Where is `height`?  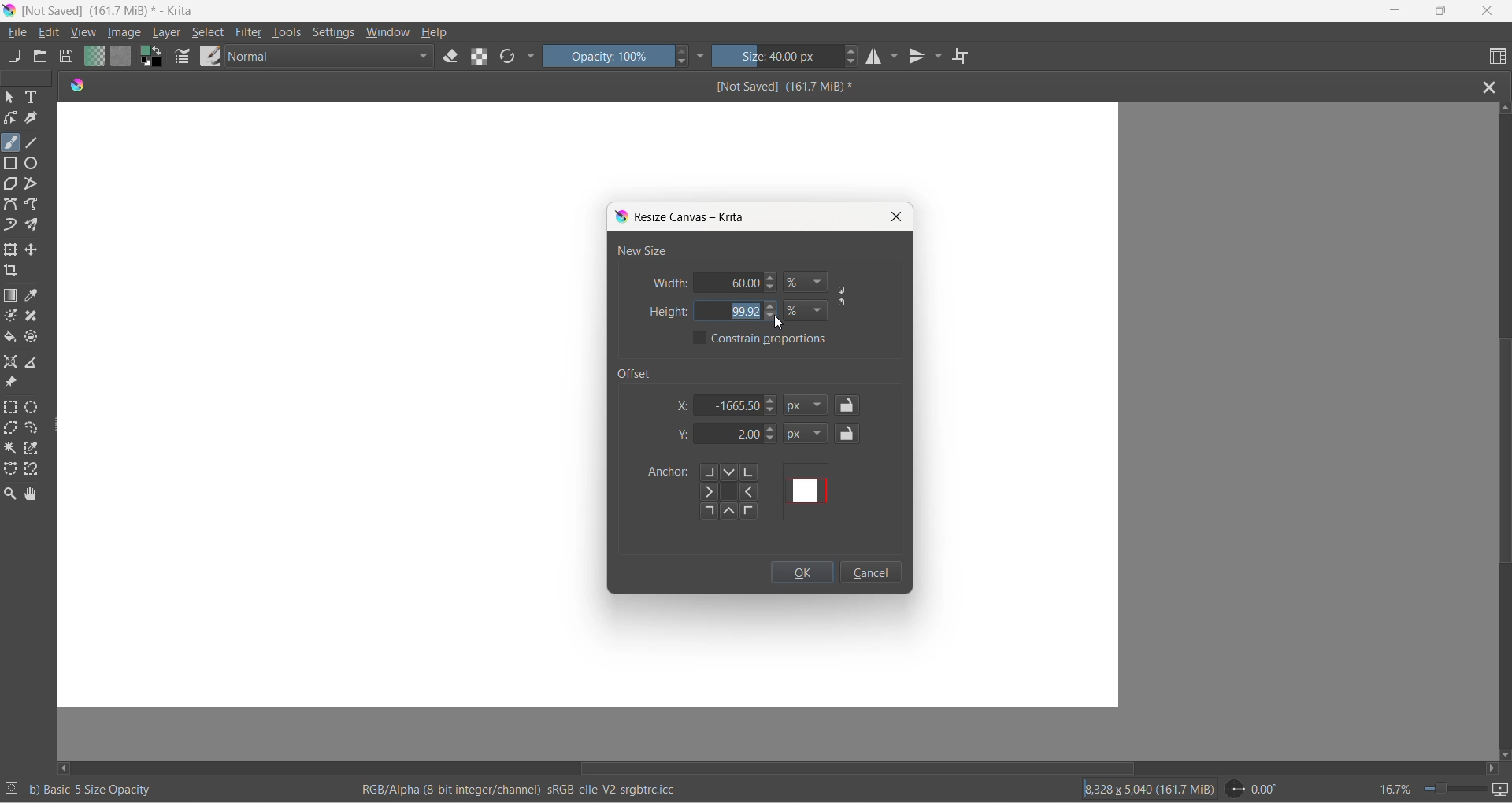
height is located at coordinates (668, 312).